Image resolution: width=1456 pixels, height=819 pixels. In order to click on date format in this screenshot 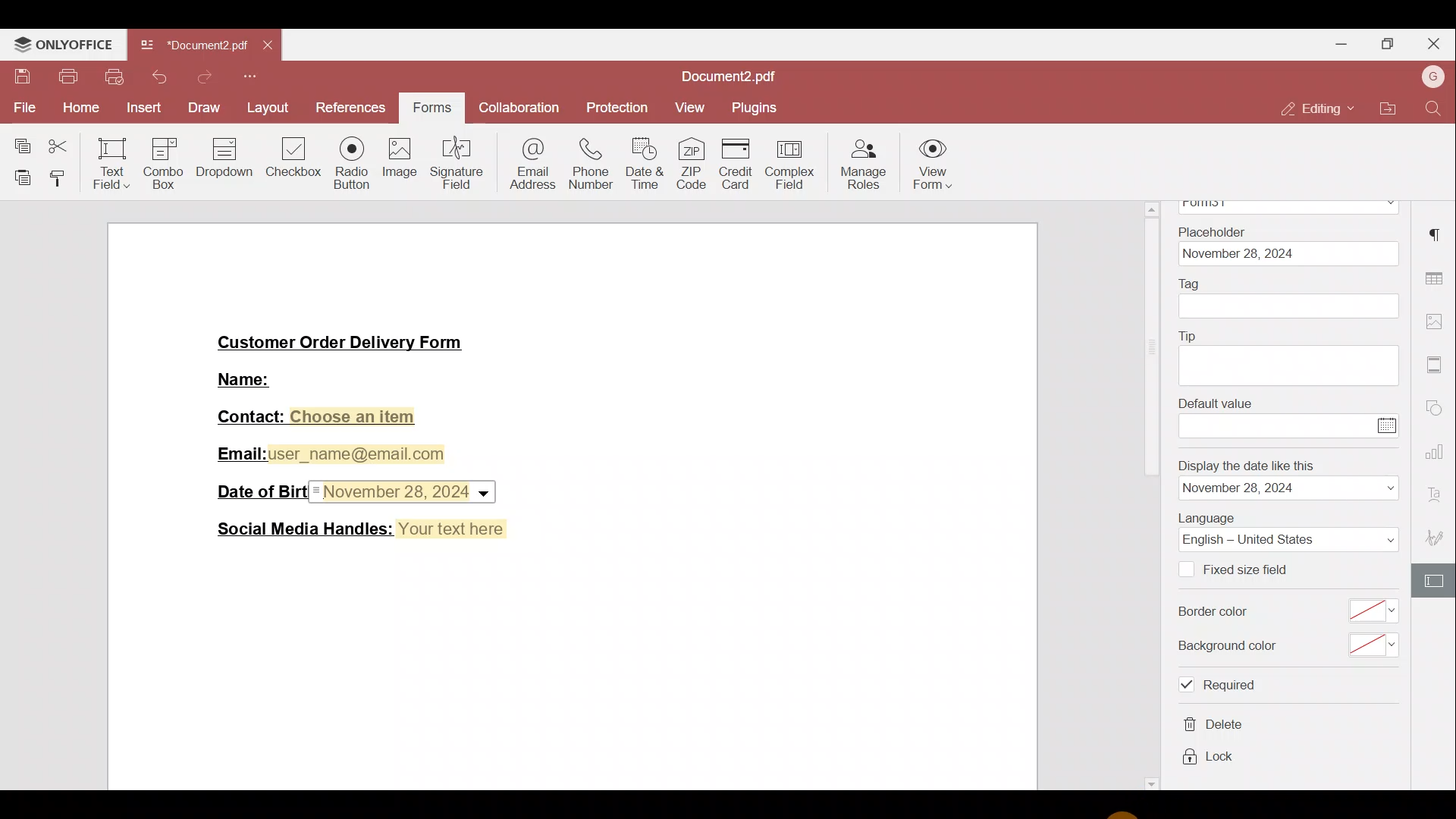, I will do `click(1289, 488)`.